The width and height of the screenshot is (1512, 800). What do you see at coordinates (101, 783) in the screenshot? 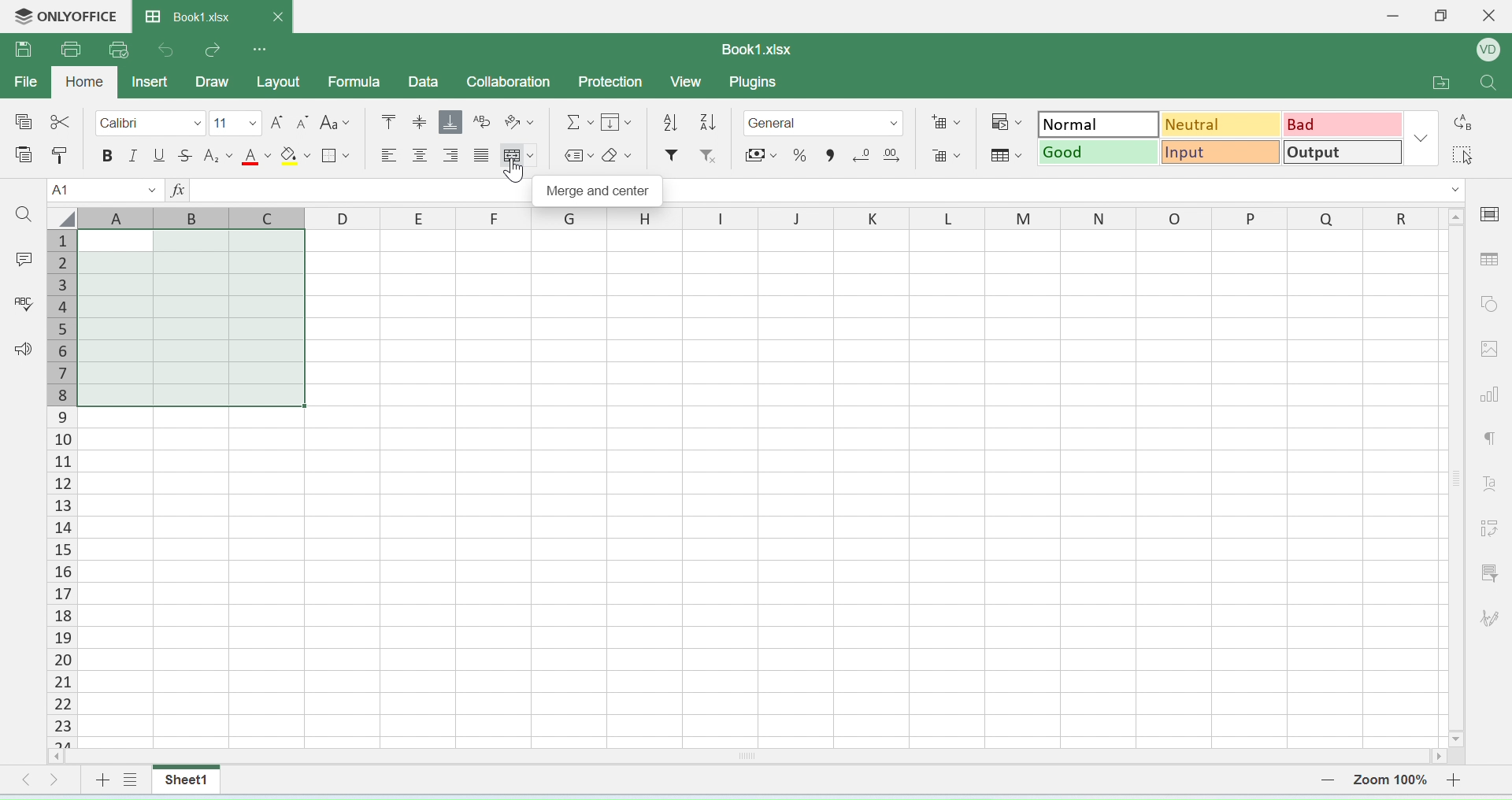
I see `add sheet` at bounding box center [101, 783].